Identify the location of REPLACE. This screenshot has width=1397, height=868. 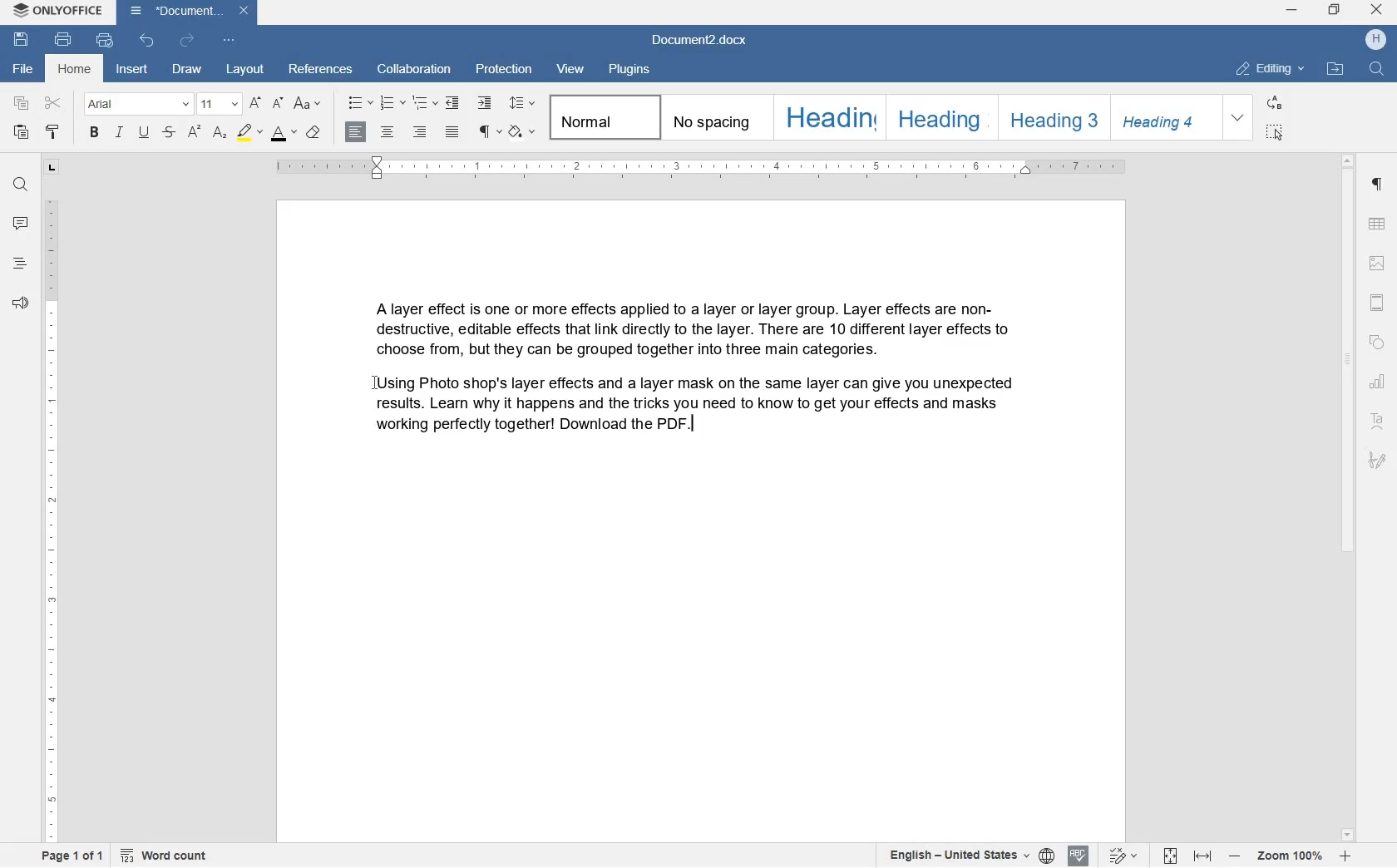
(1275, 101).